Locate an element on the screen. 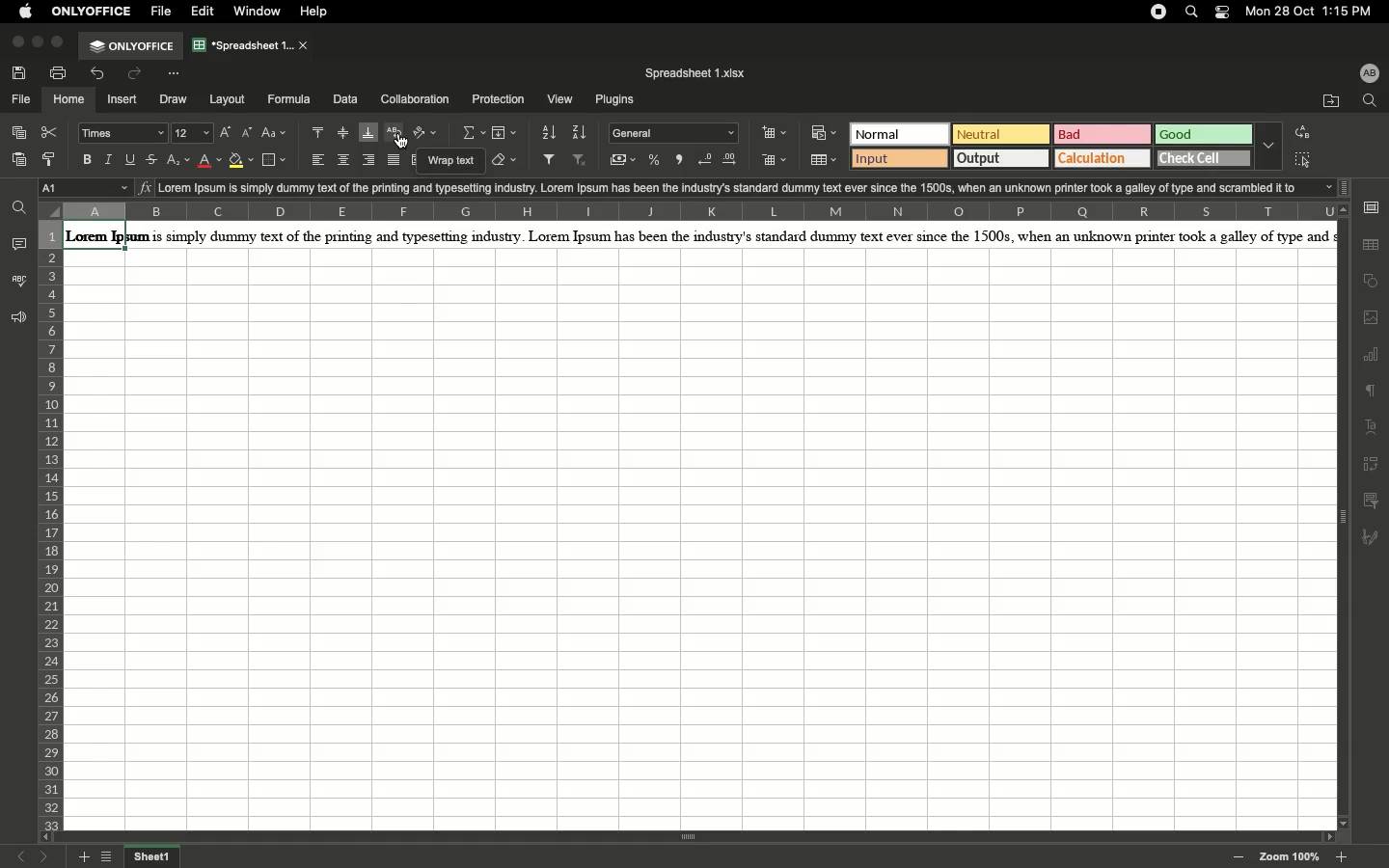 The height and width of the screenshot is (868, 1389). Output is located at coordinates (1001, 157).